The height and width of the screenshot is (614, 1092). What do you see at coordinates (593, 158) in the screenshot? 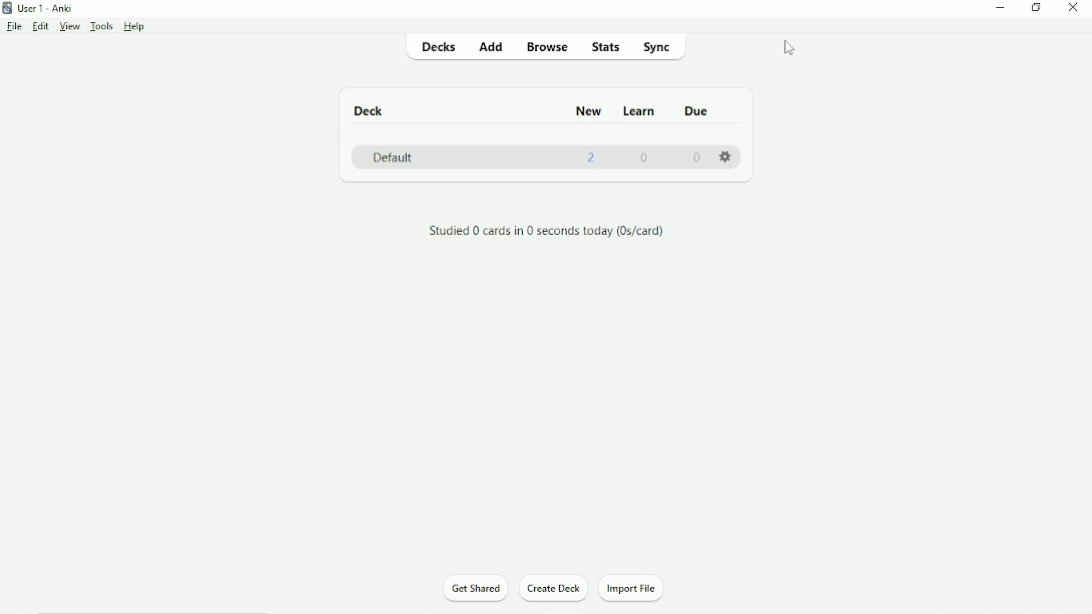
I see `2` at bounding box center [593, 158].